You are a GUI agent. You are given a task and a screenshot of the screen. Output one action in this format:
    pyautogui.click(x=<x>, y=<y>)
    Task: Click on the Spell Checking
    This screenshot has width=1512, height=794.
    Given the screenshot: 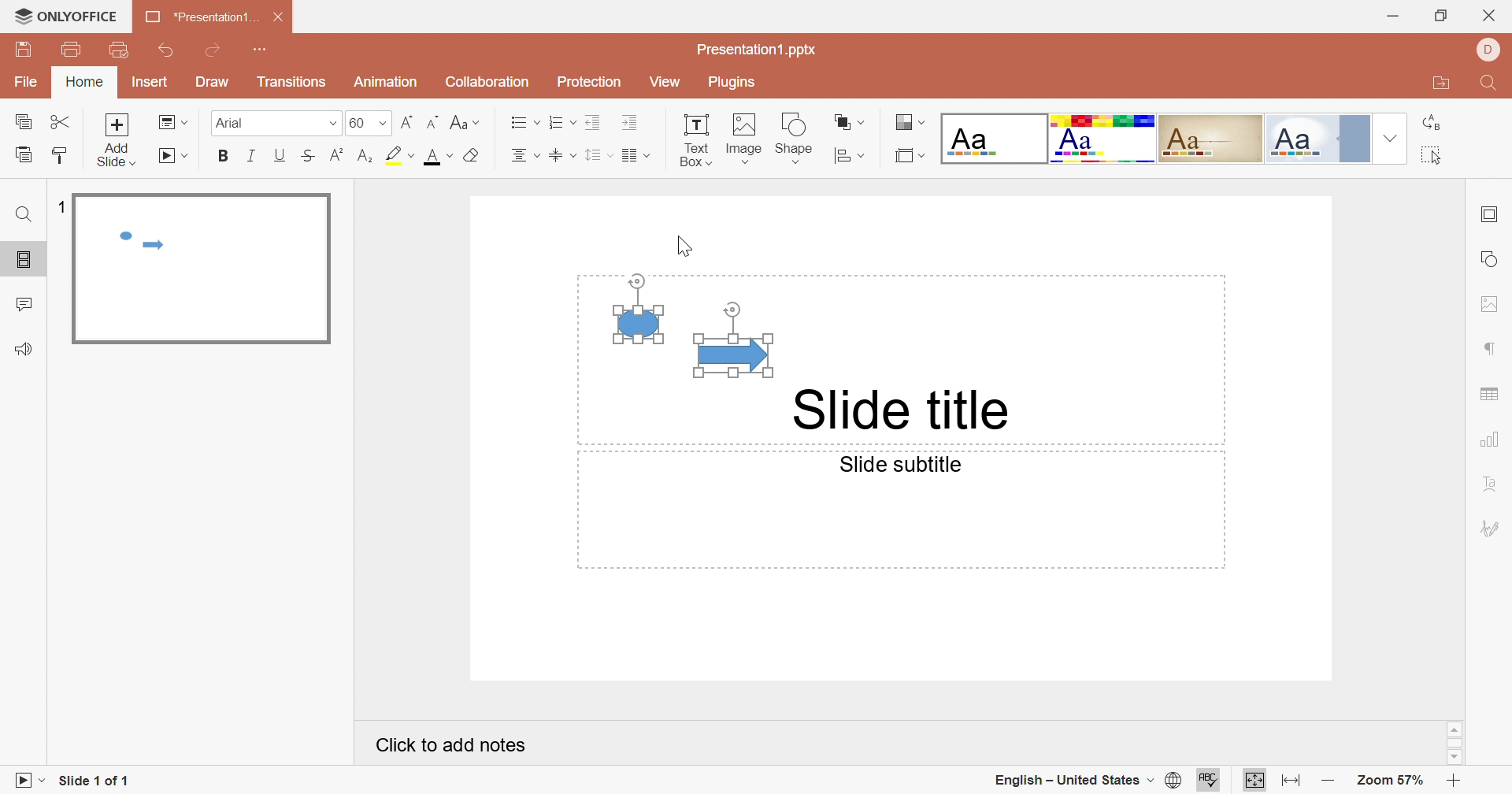 What is the action you would take?
    pyautogui.click(x=1211, y=782)
    